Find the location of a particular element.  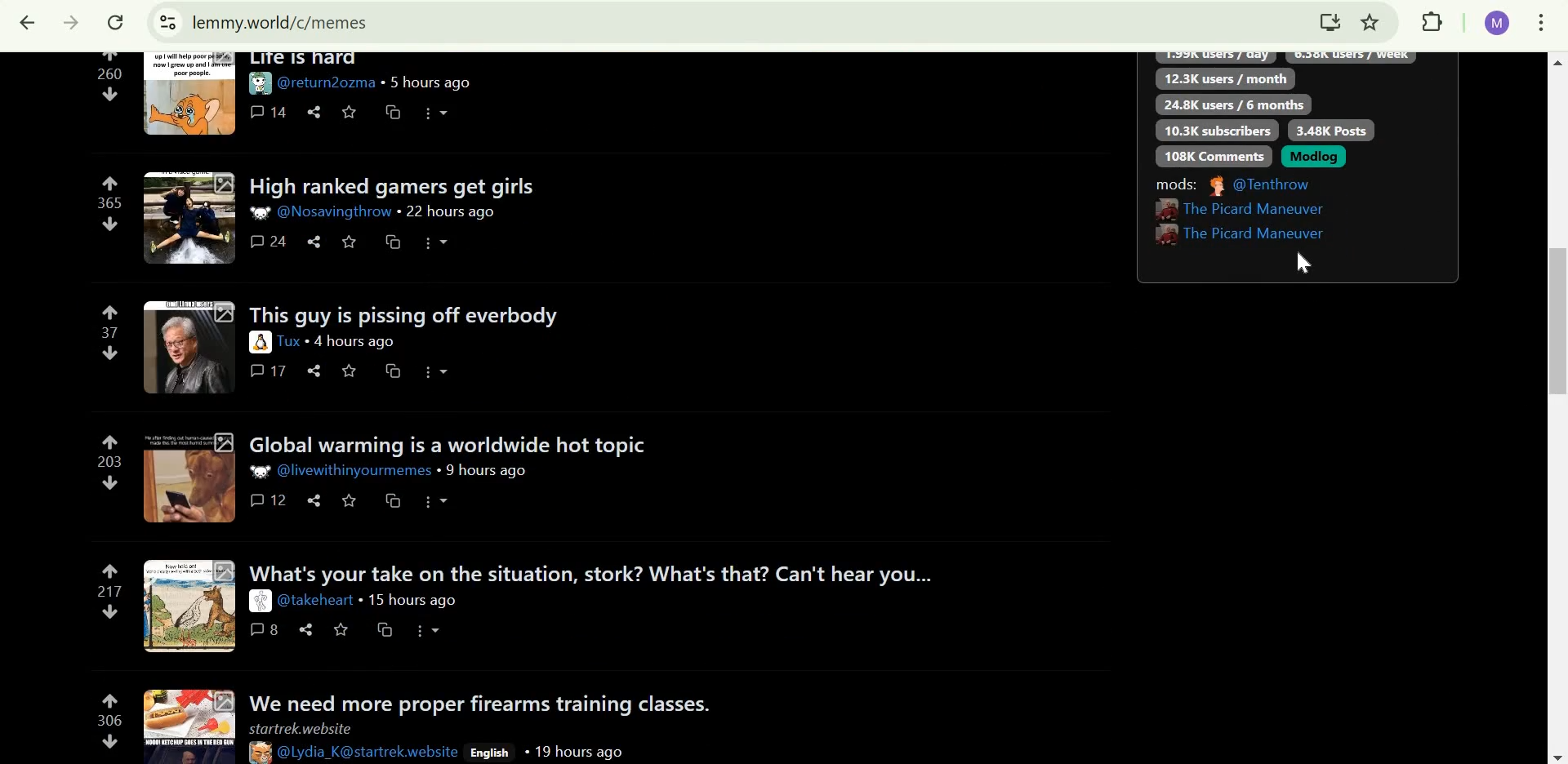

cross-post is located at coordinates (395, 111).